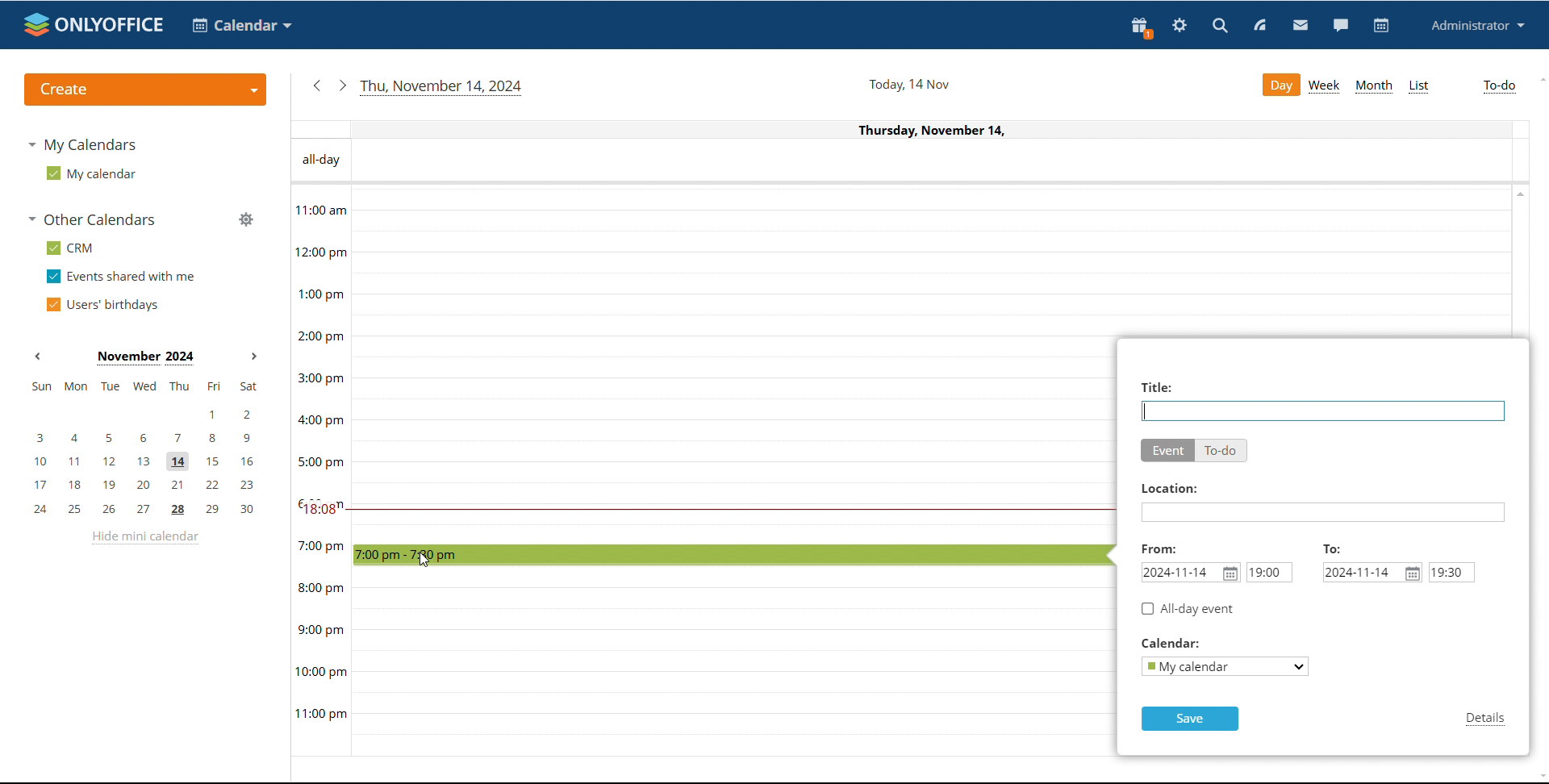 The image size is (1549, 784). Describe the element at coordinates (1169, 488) in the screenshot. I see `Location` at that location.